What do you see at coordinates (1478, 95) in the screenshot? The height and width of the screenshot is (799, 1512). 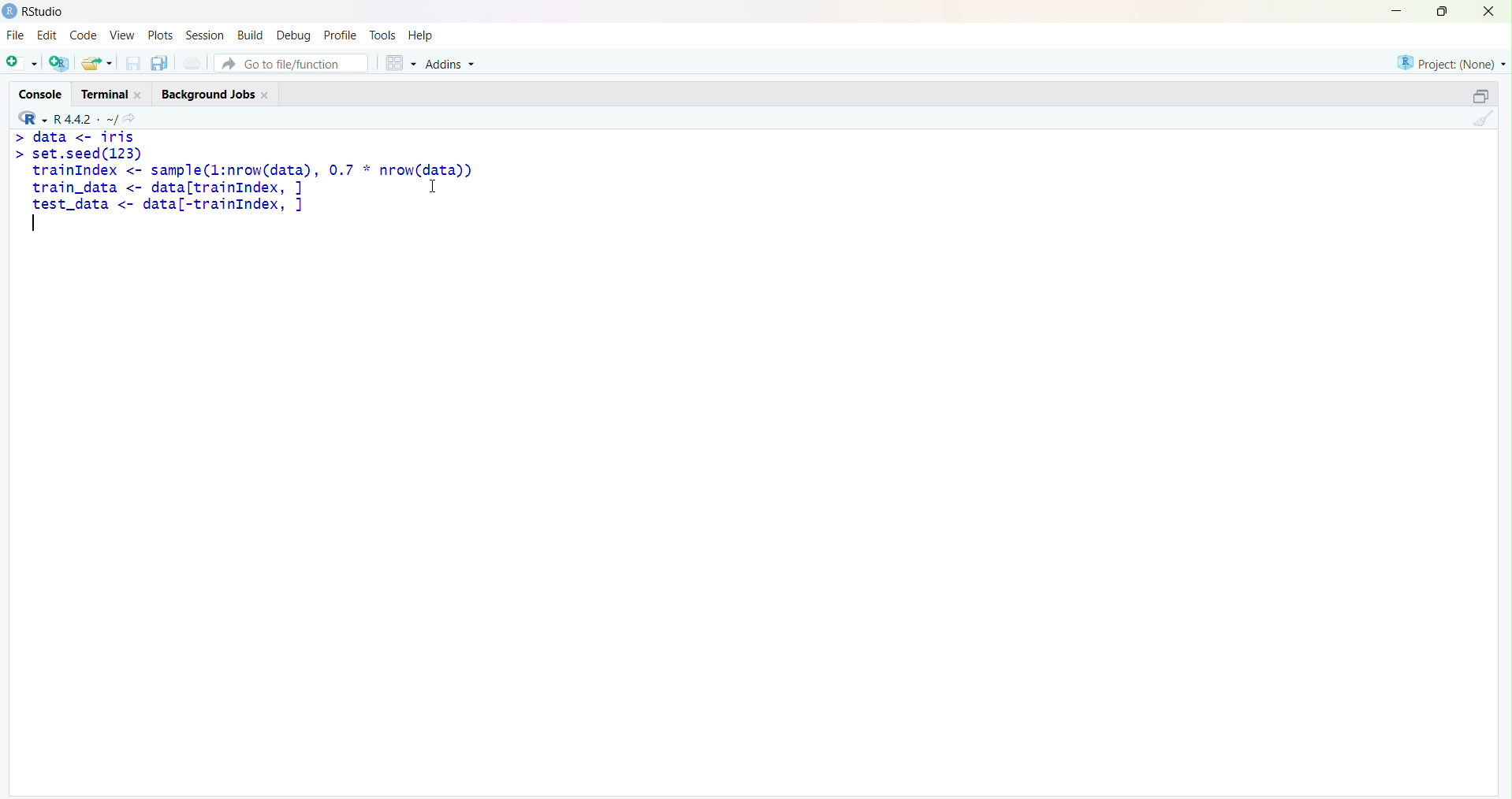 I see `Maximize/ Restore` at bounding box center [1478, 95].